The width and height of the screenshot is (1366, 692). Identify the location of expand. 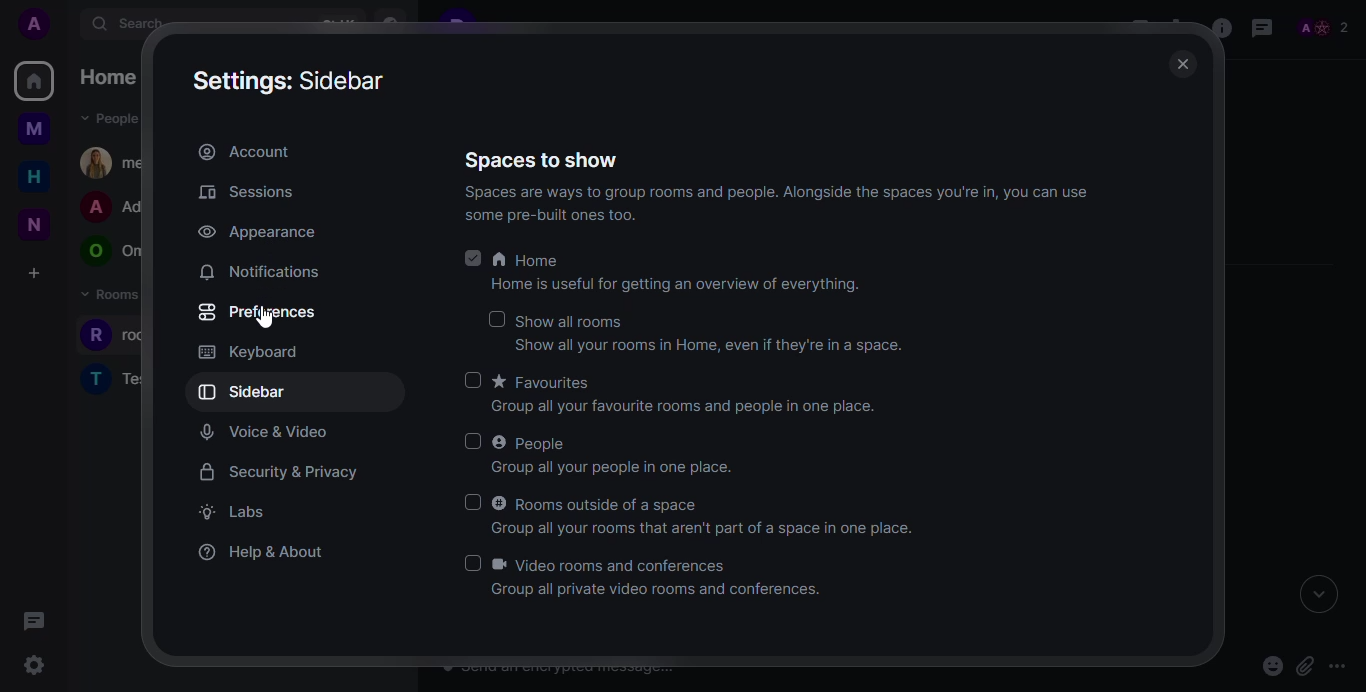
(1318, 597).